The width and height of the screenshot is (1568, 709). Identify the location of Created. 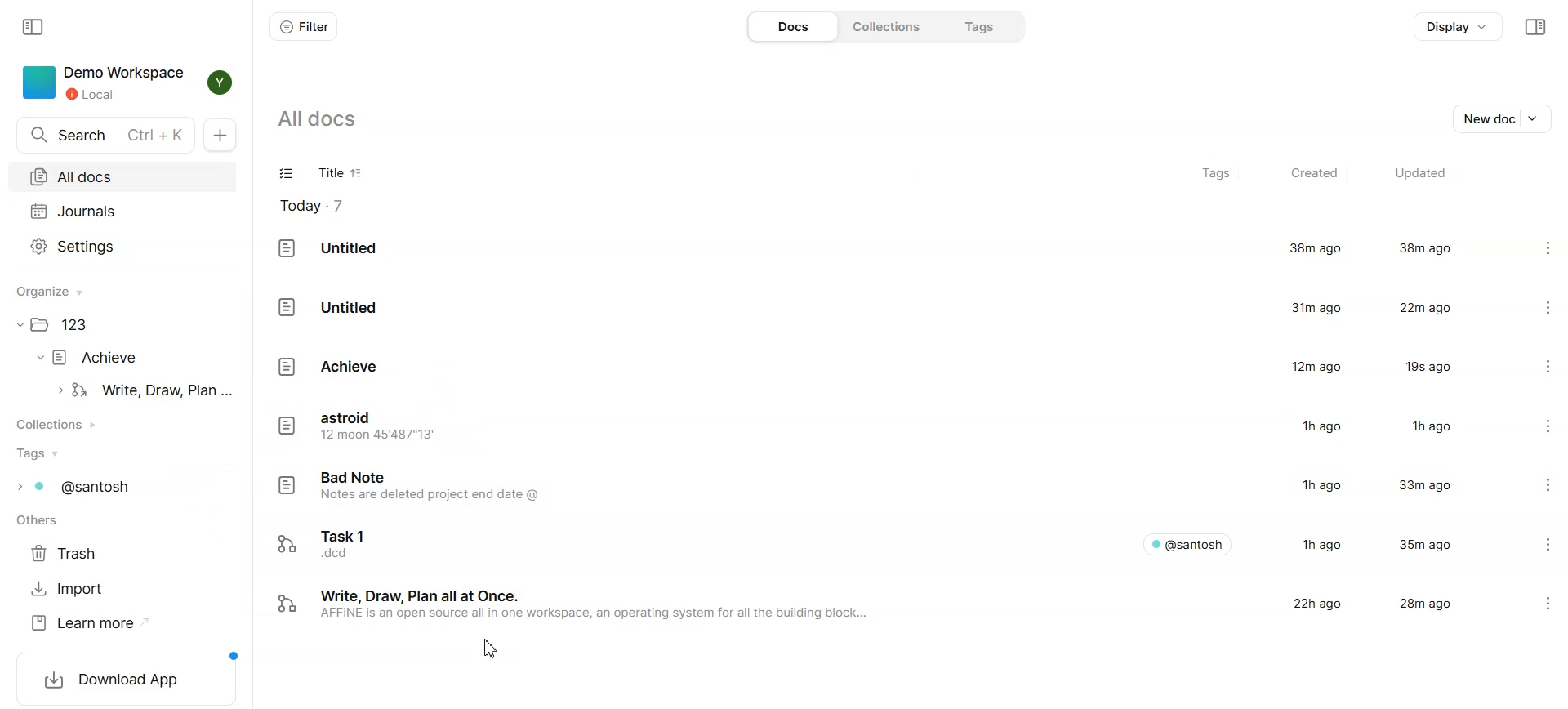
(1312, 174).